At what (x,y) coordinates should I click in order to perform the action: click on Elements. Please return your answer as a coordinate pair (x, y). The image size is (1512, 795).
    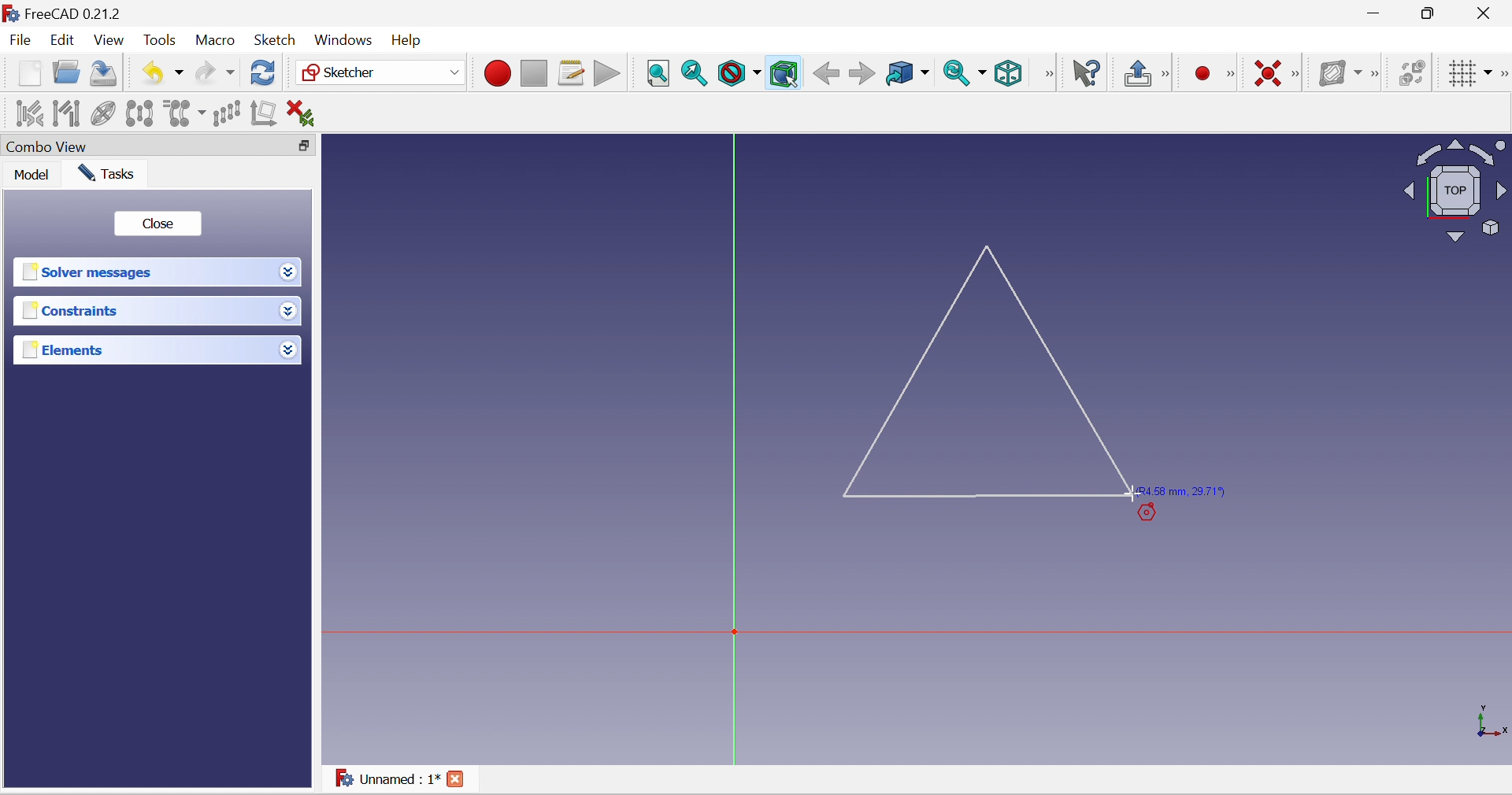
    Looking at the image, I should click on (144, 349).